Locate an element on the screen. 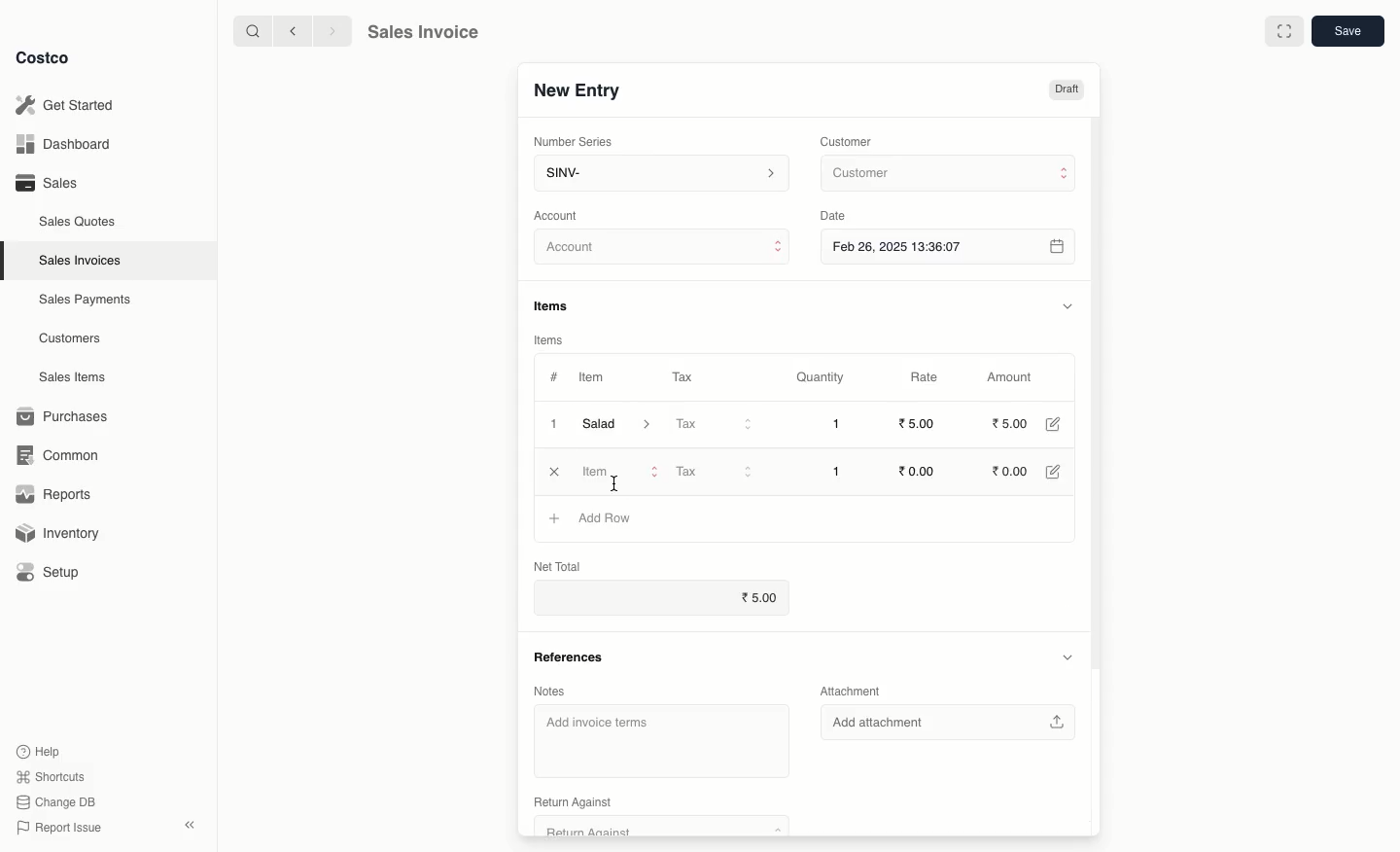 The width and height of the screenshot is (1400, 852). References is located at coordinates (569, 655).